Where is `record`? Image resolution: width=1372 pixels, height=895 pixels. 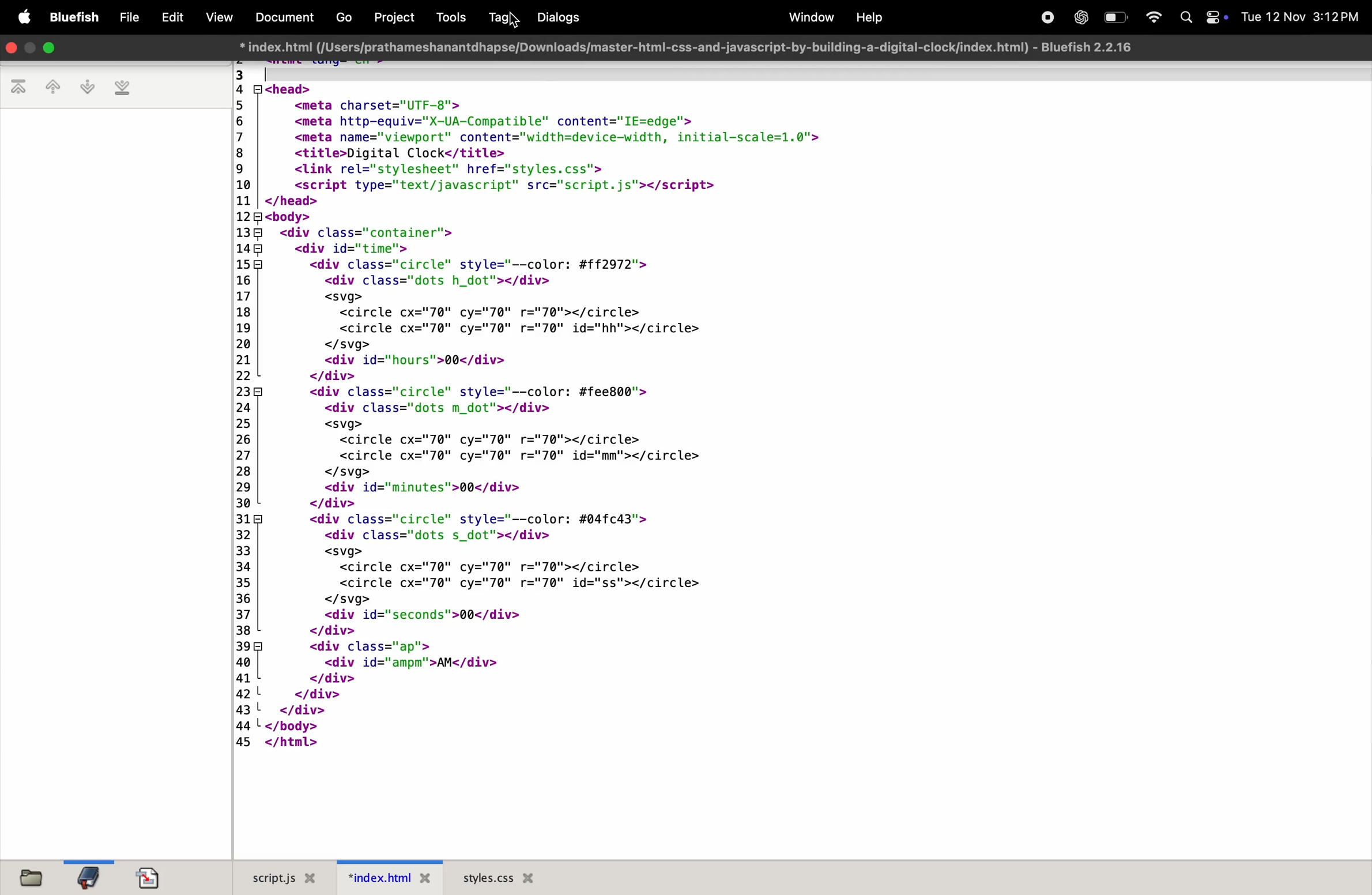 record is located at coordinates (1045, 16).